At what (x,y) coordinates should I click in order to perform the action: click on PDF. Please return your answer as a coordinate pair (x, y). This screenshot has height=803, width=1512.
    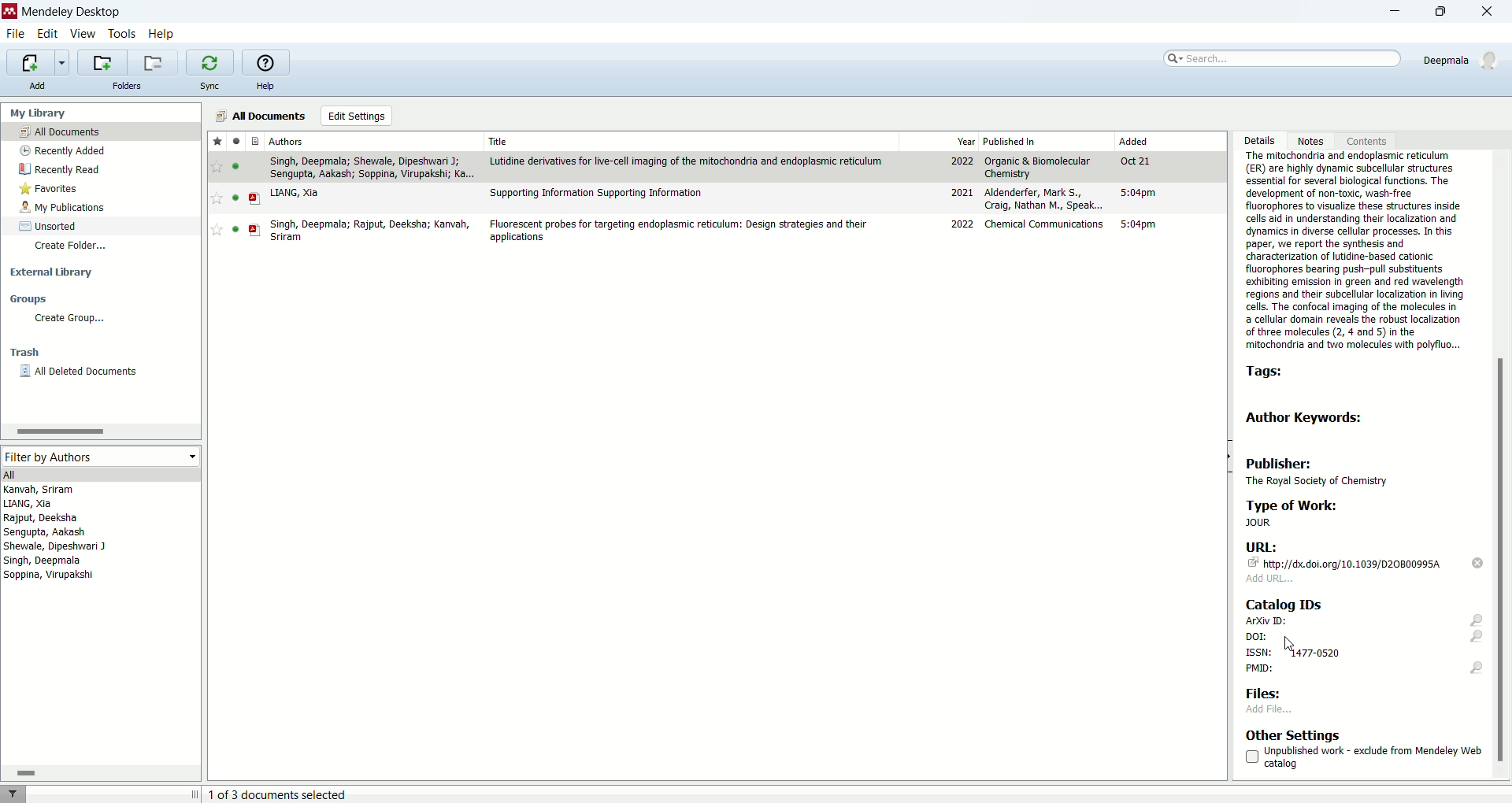
    Looking at the image, I should click on (255, 230).